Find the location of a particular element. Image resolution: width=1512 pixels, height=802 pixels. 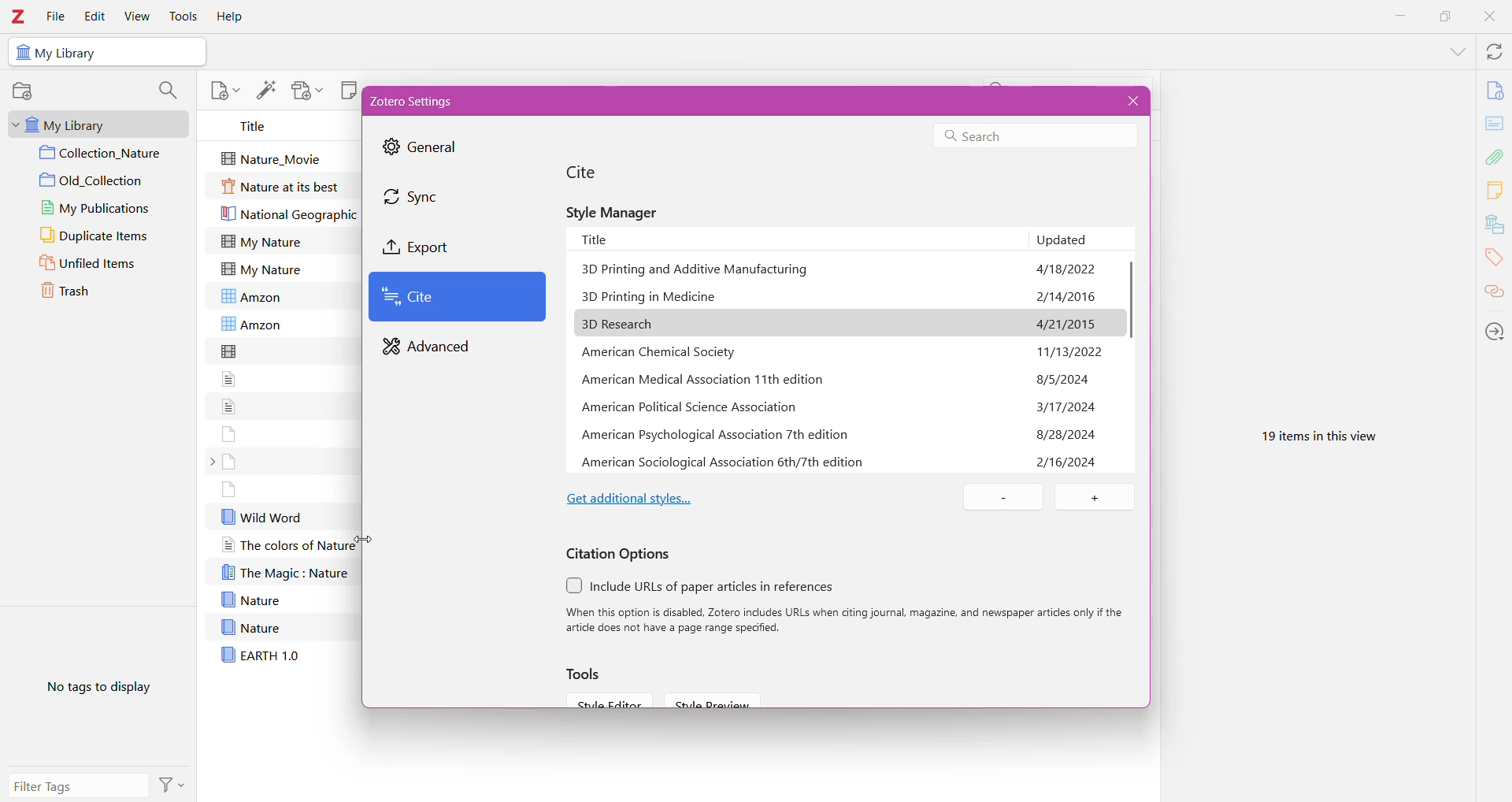

Attachments is located at coordinates (1496, 156).